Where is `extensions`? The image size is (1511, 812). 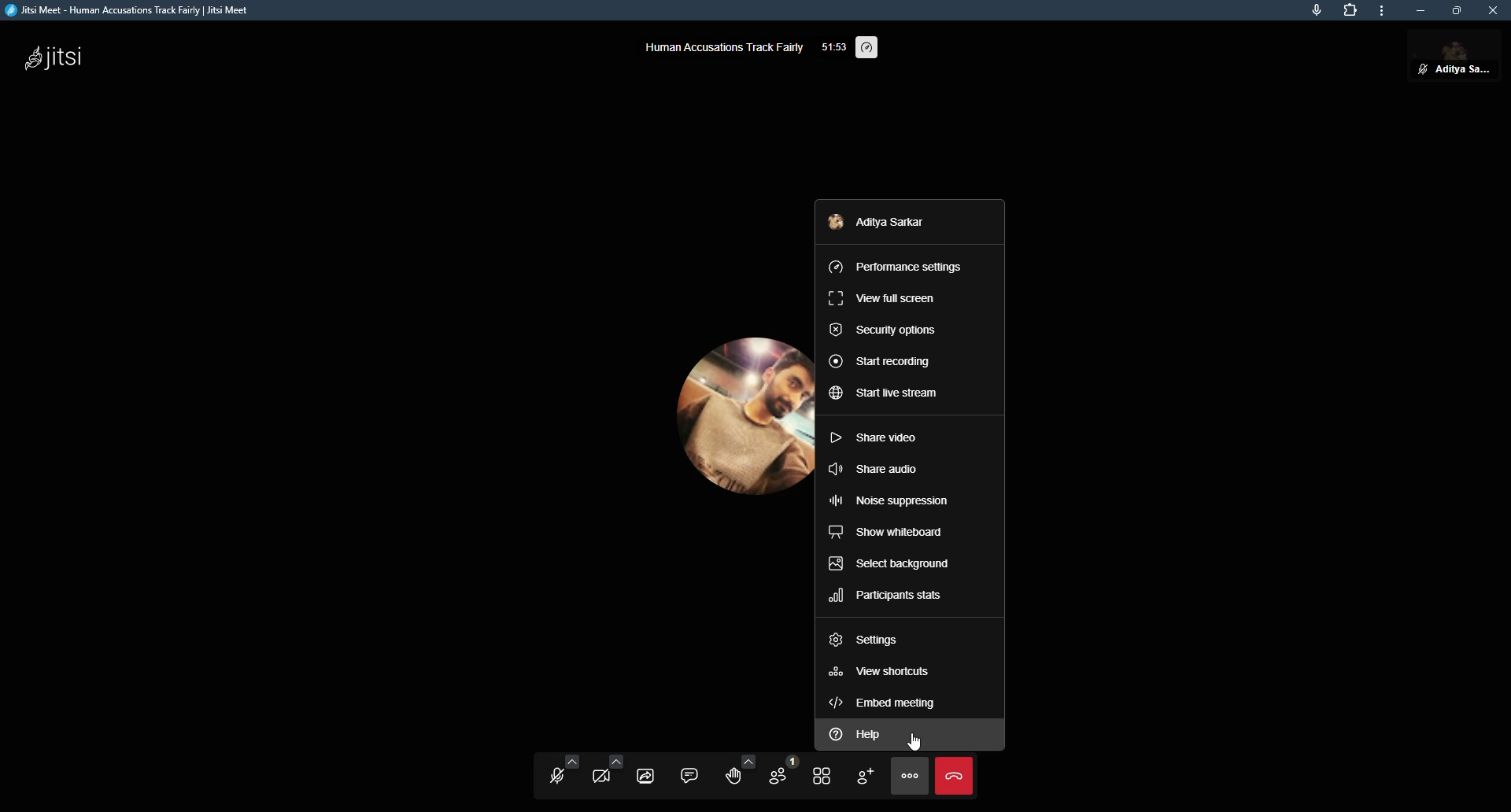 extensions is located at coordinates (1348, 12).